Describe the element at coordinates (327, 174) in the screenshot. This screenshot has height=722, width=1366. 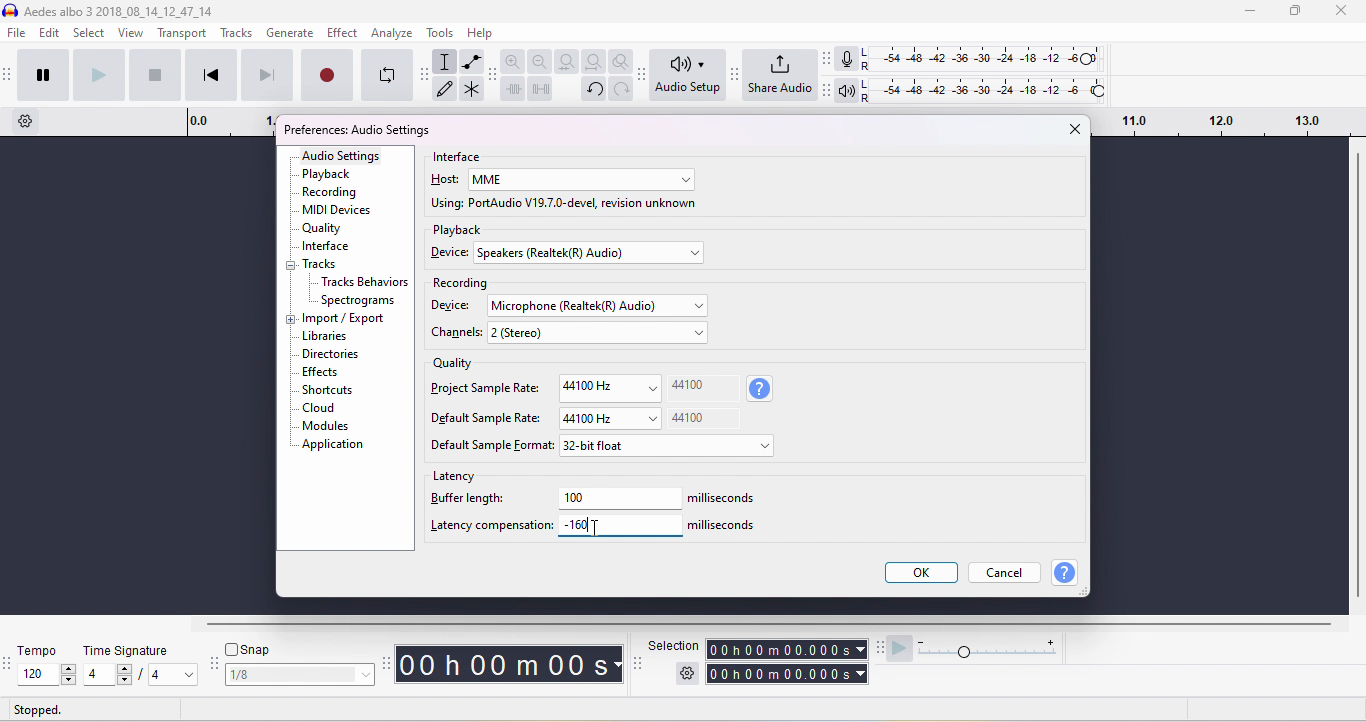
I see `playback` at that location.